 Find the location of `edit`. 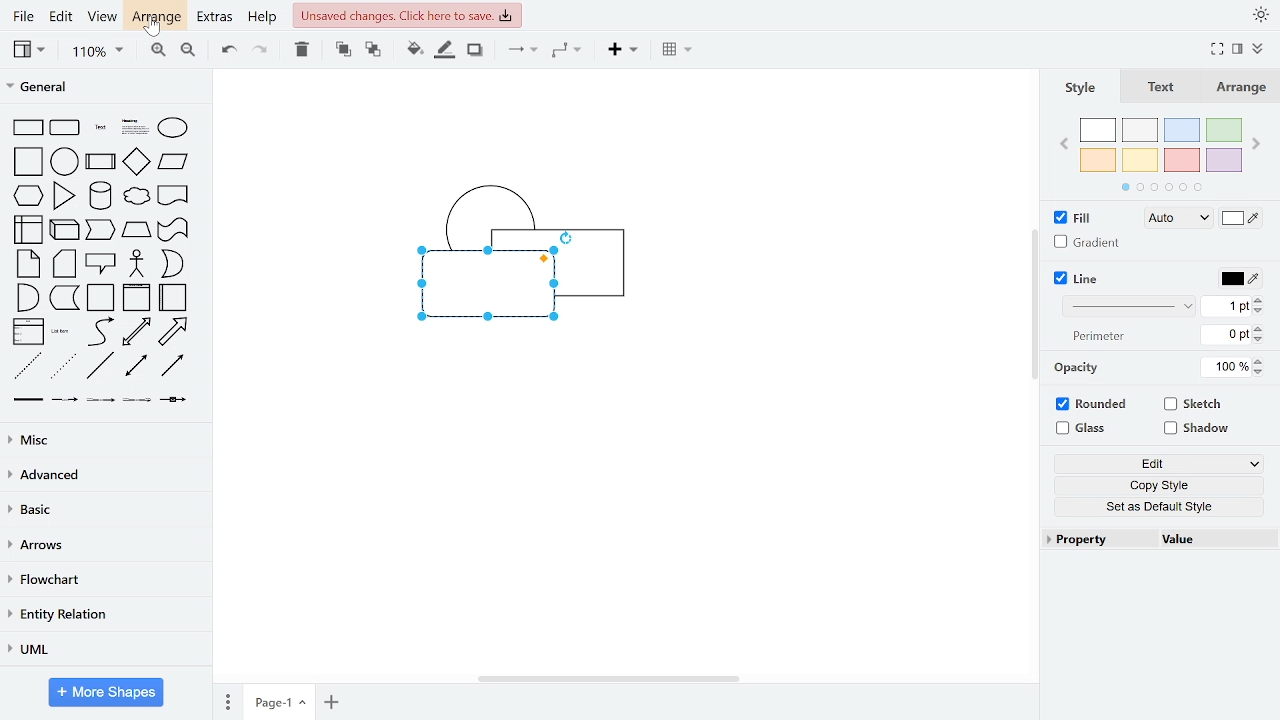

edit is located at coordinates (61, 16).